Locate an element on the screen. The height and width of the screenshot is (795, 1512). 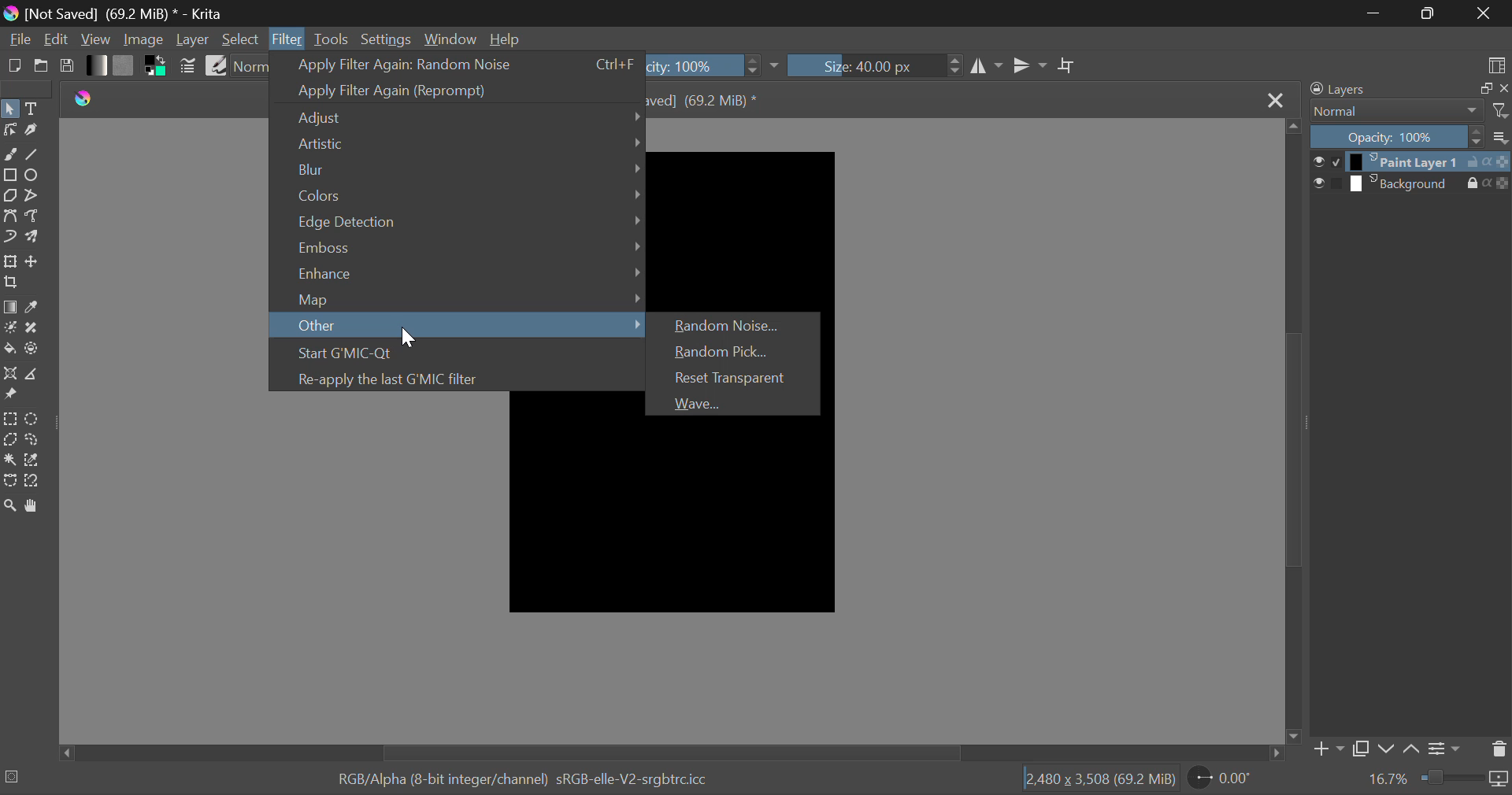
alpha is located at coordinates (1488, 161).